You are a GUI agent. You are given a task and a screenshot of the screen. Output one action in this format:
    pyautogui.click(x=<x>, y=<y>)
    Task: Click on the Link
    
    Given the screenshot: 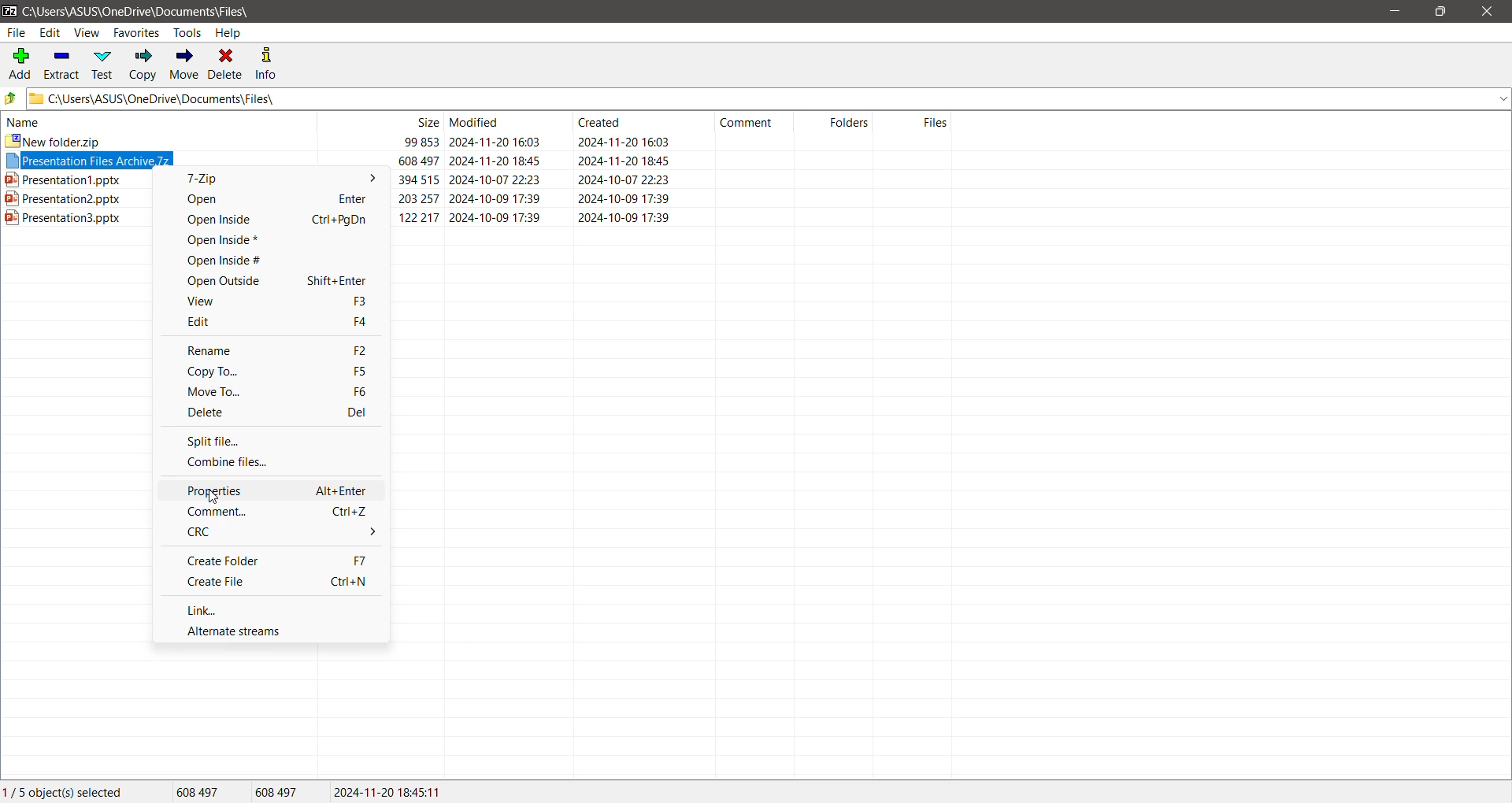 What is the action you would take?
    pyautogui.click(x=206, y=609)
    